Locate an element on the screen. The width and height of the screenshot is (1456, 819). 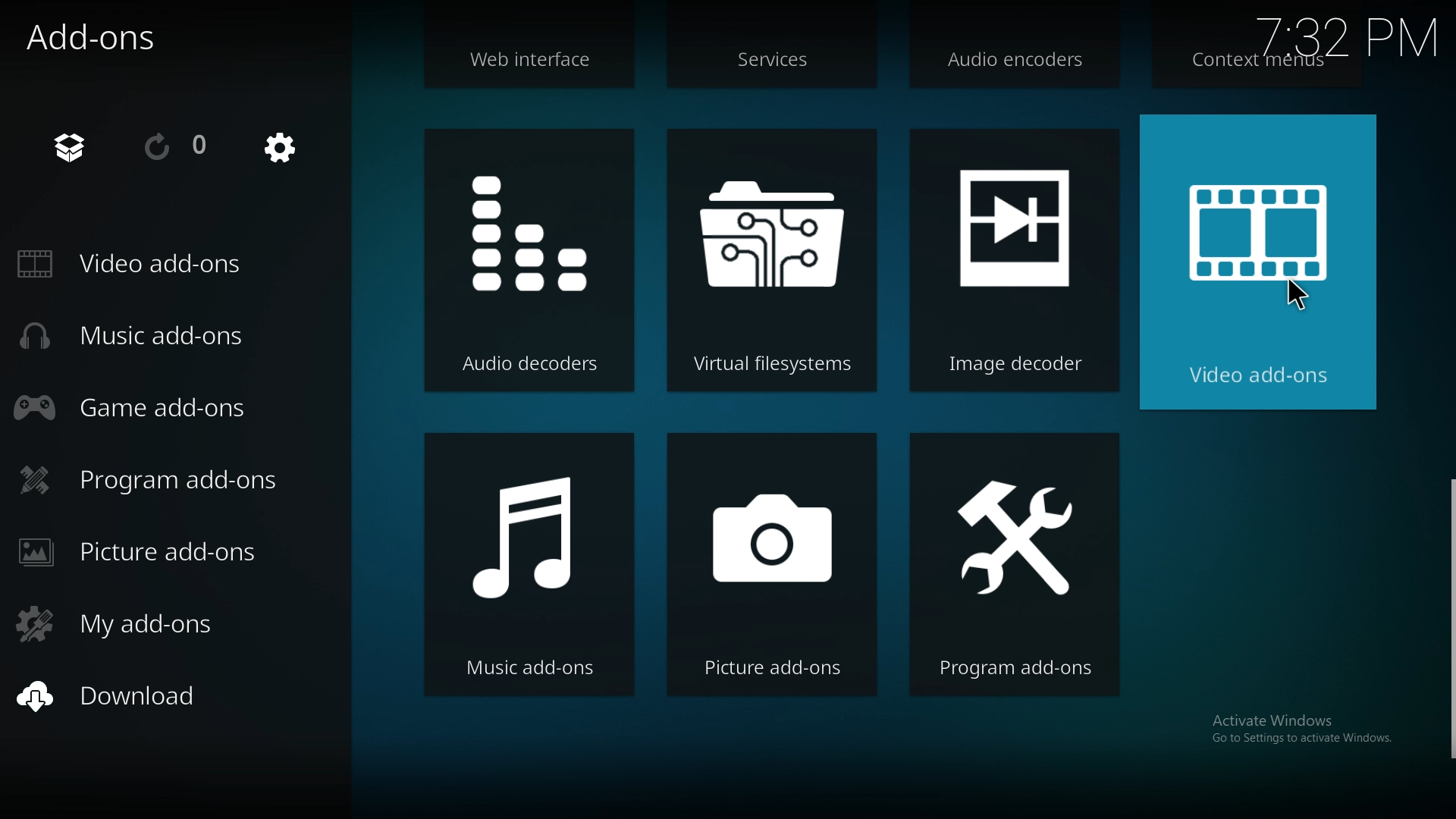
my add ons is located at coordinates (128, 621).